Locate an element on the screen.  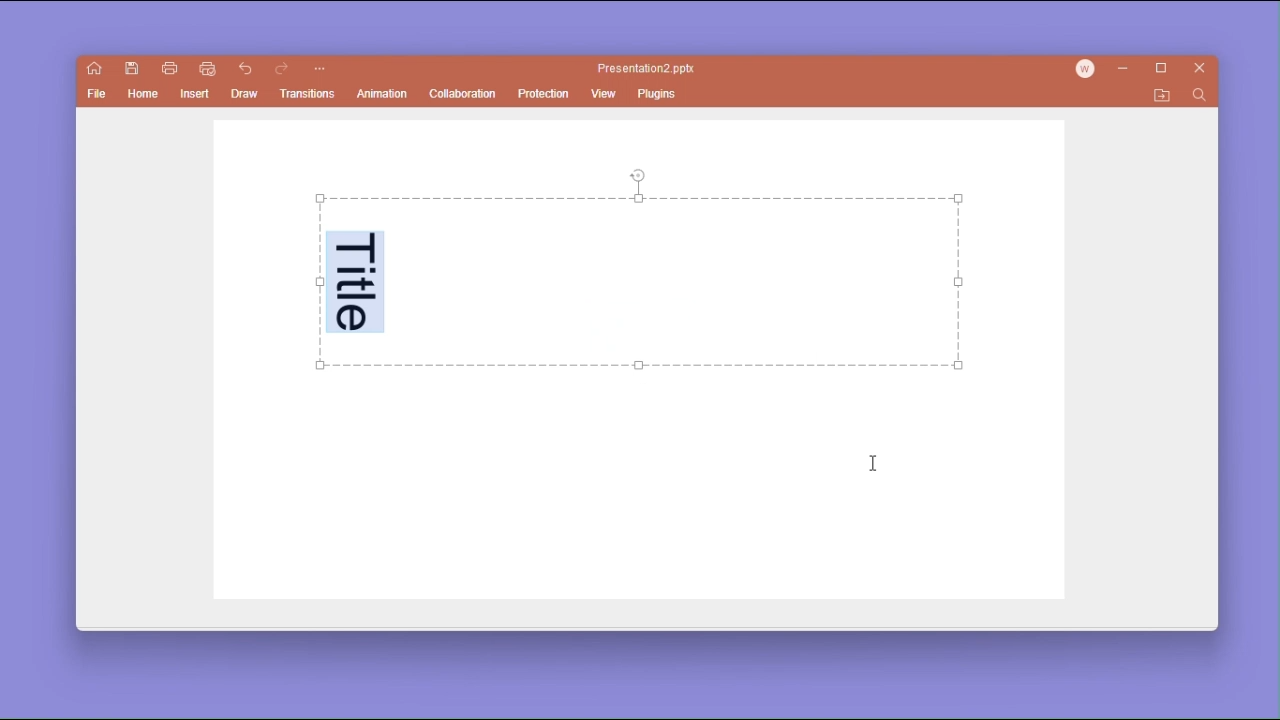
cursor is located at coordinates (881, 467).